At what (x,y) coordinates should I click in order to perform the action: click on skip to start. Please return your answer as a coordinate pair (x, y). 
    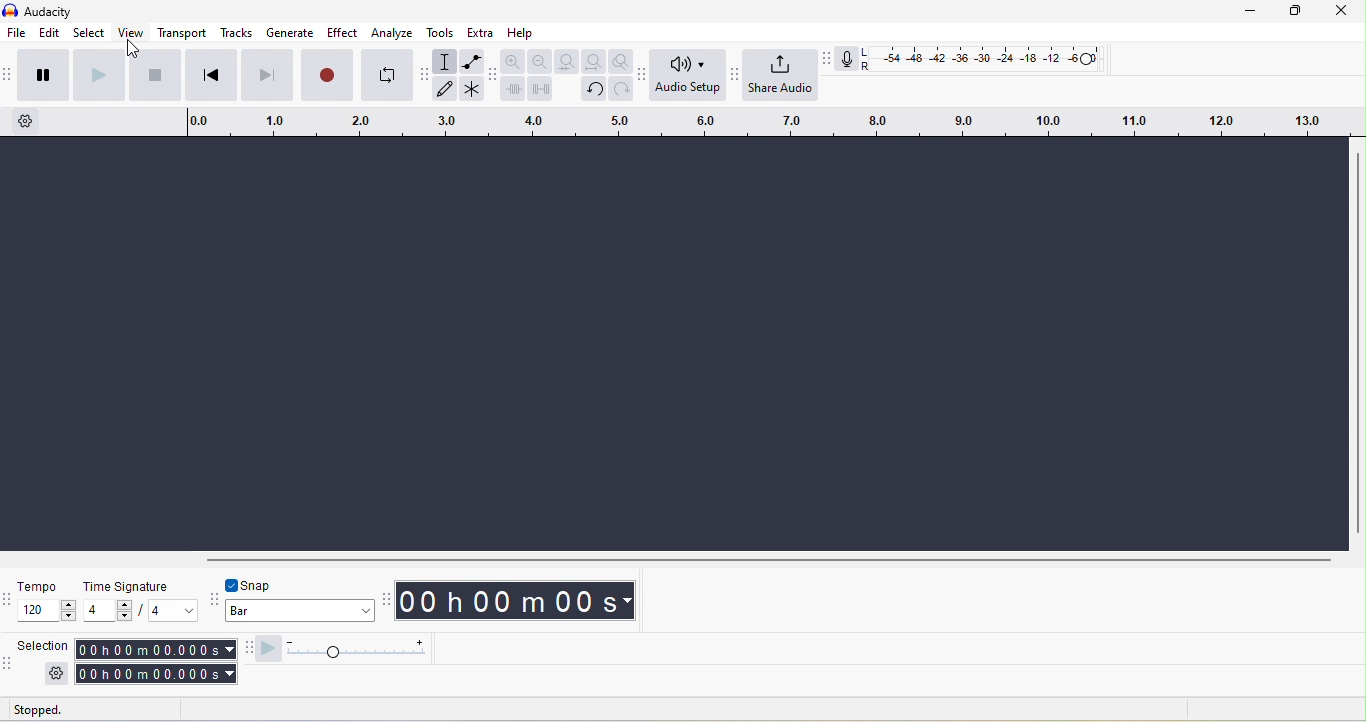
    Looking at the image, I should click on (212, 75).